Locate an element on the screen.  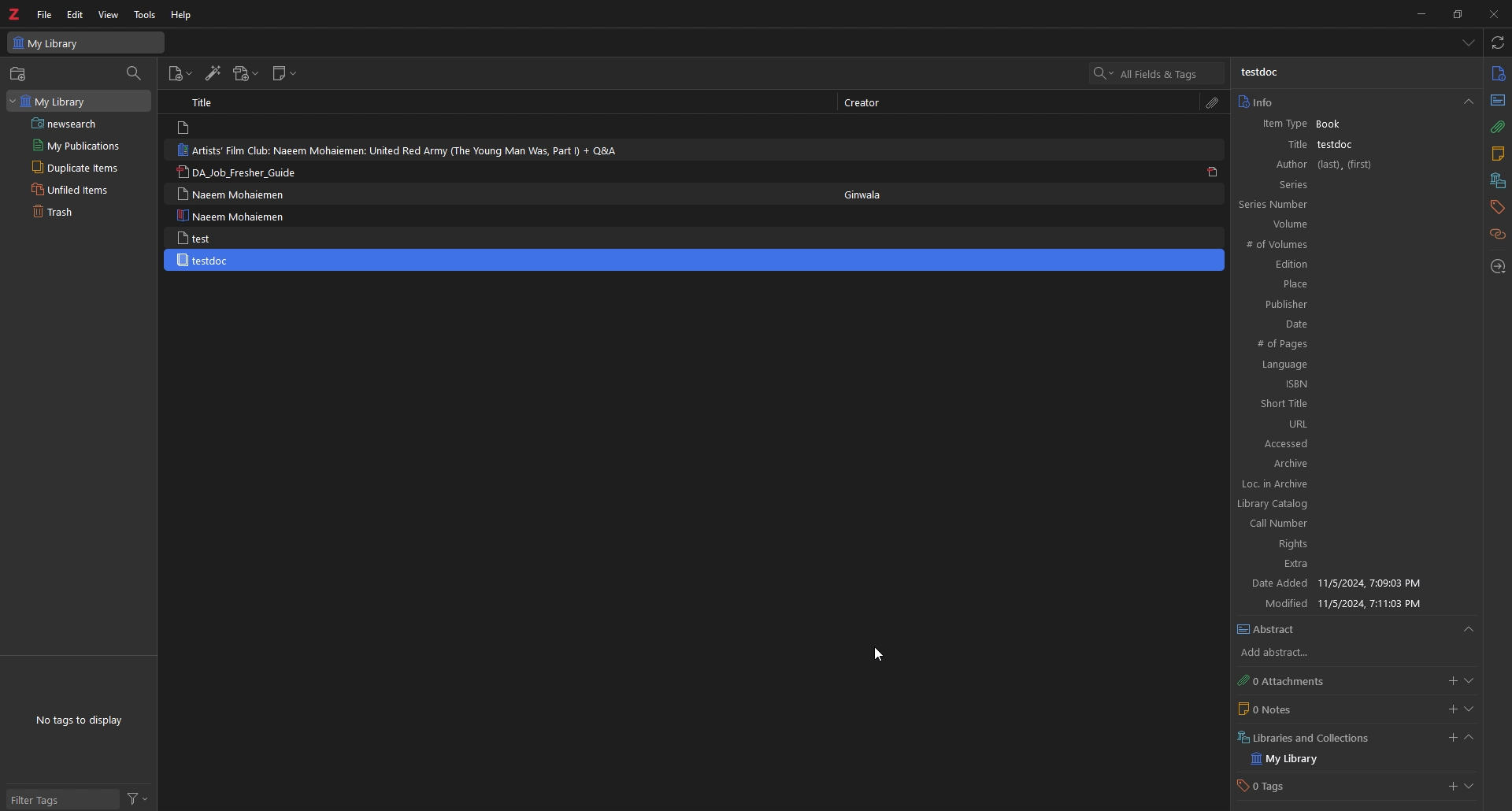
new collection is located at coordinates (20, 74).